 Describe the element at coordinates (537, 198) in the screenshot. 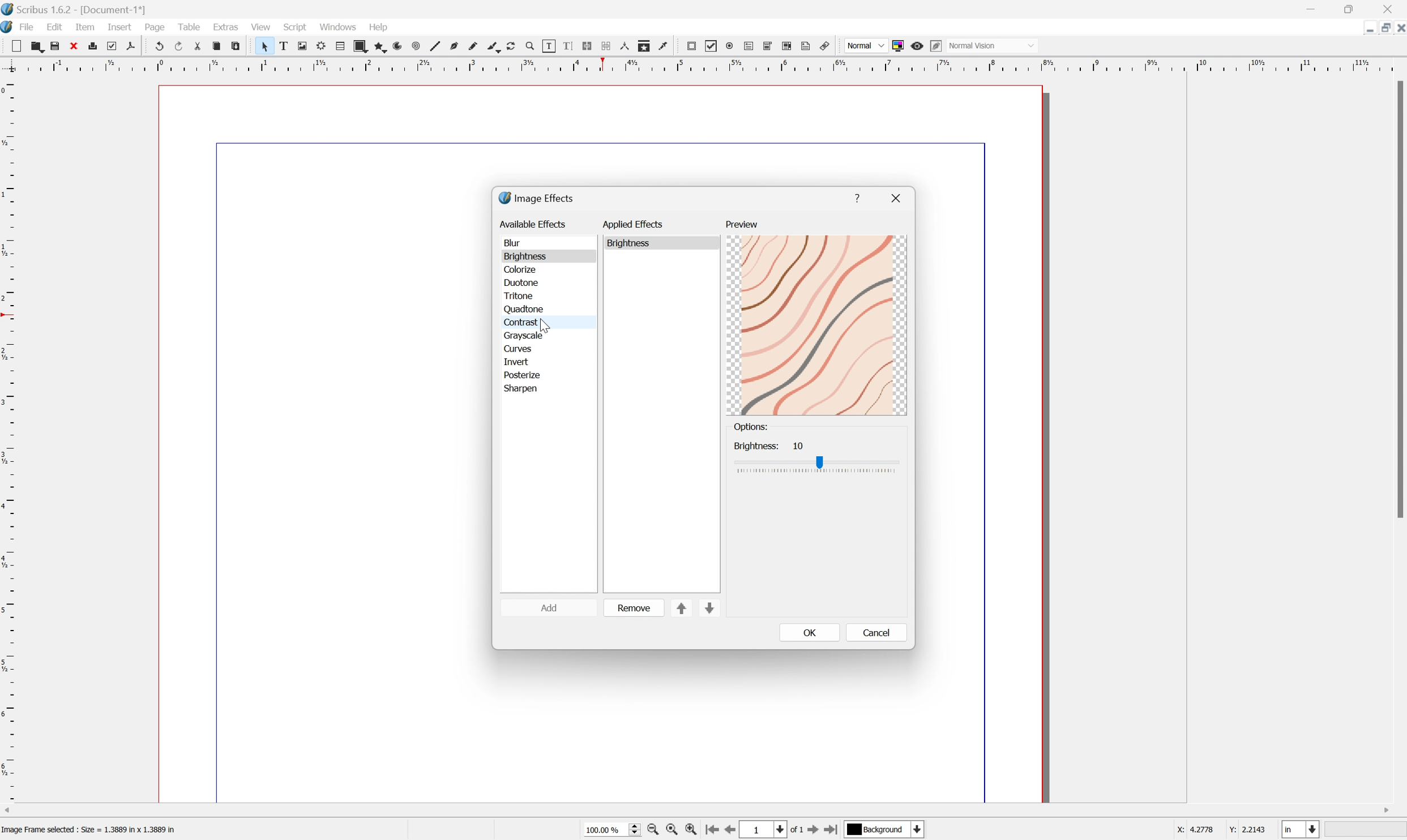

I see `image effects` at that location.